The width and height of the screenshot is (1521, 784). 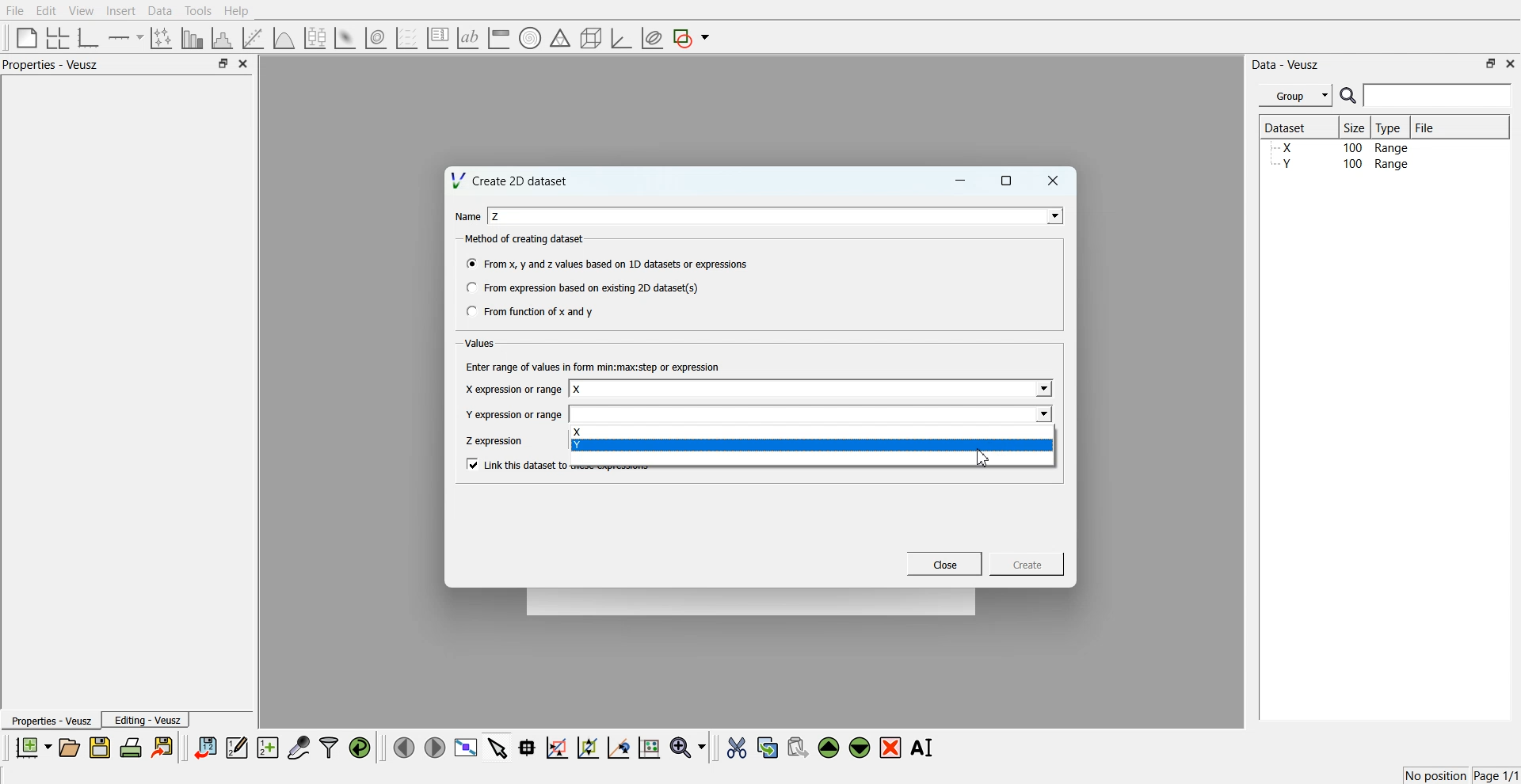 I want to click on Enter name, so click(x=811, y=390).